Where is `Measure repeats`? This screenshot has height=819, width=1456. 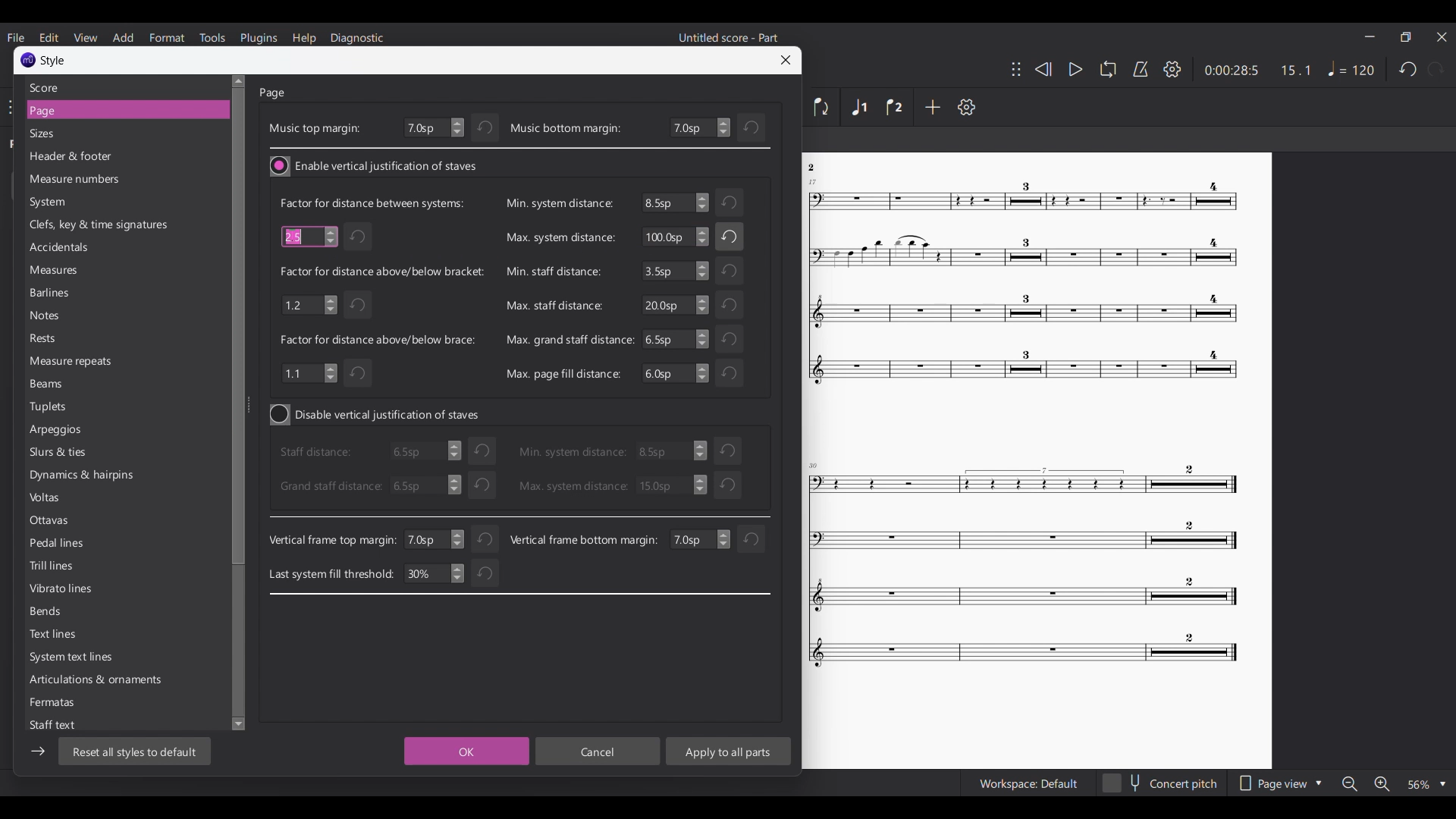 Measure repeats is located at coordinates (74, 361).